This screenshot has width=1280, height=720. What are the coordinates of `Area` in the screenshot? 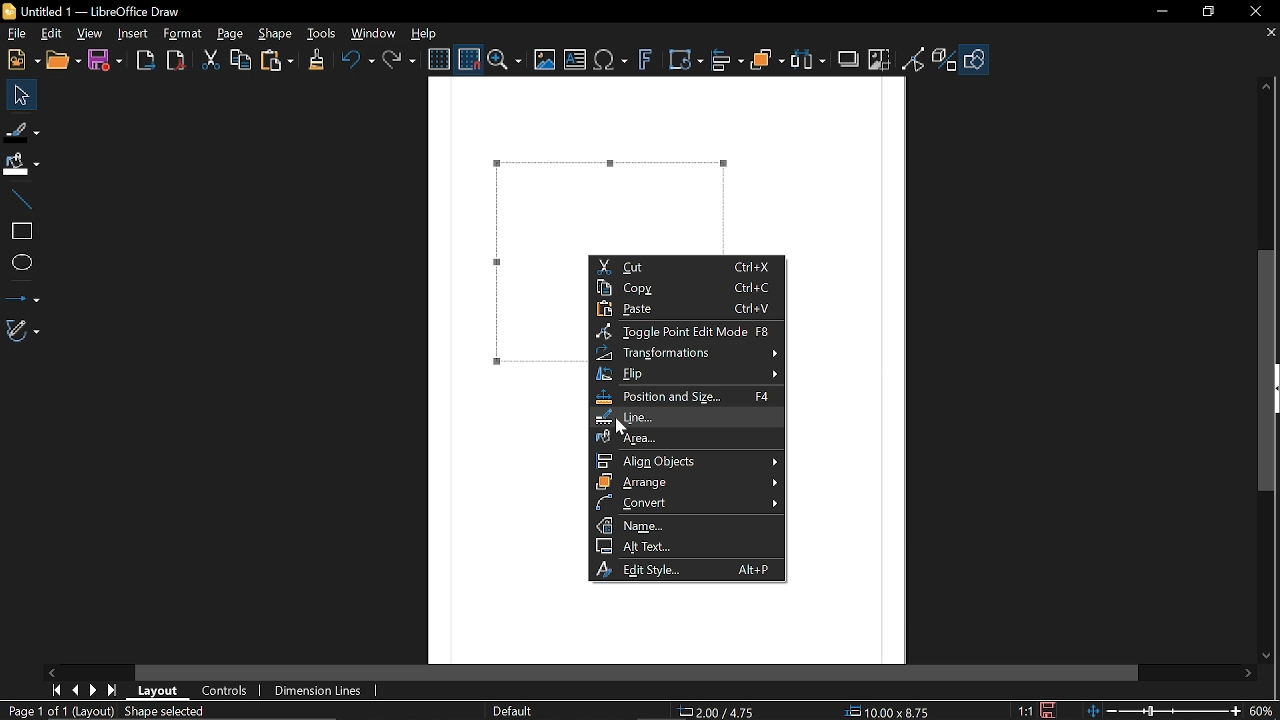 It's located at (688, 437).